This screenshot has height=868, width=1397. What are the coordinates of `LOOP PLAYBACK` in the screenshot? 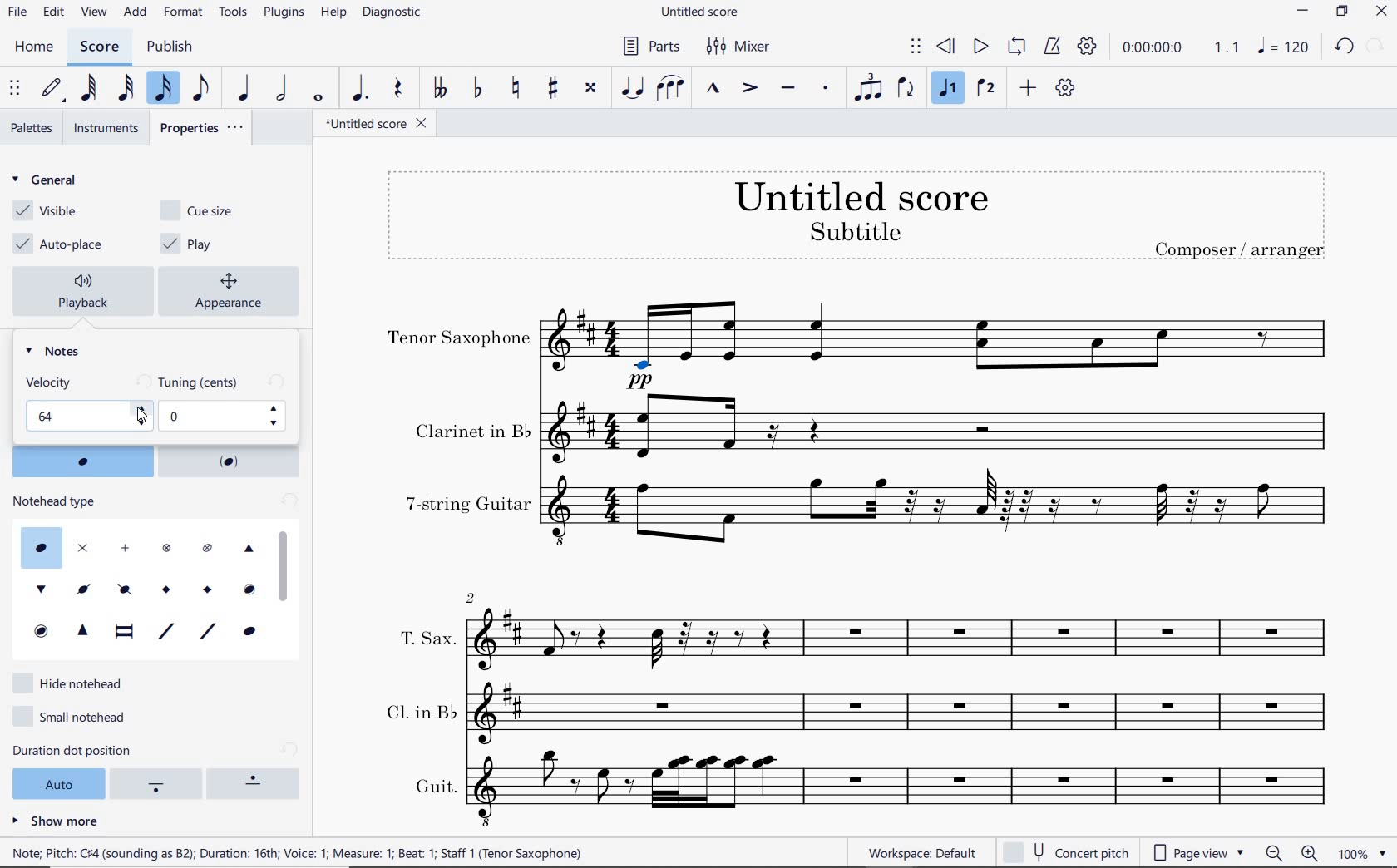 It's located at (1019, 47).